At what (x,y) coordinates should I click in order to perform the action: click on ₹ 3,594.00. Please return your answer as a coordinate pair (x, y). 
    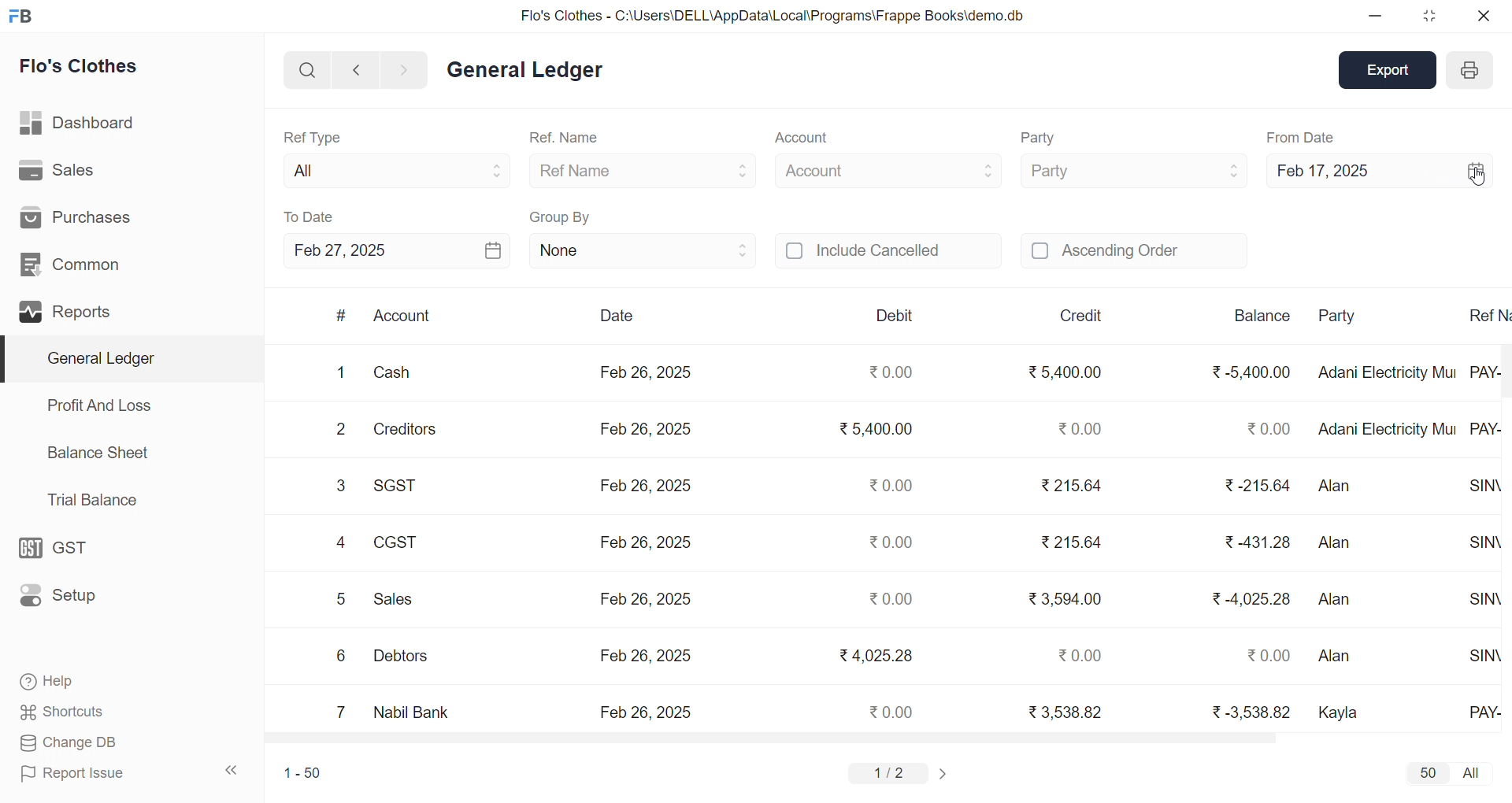
    Looking at the image, I should click on (1066, 597).